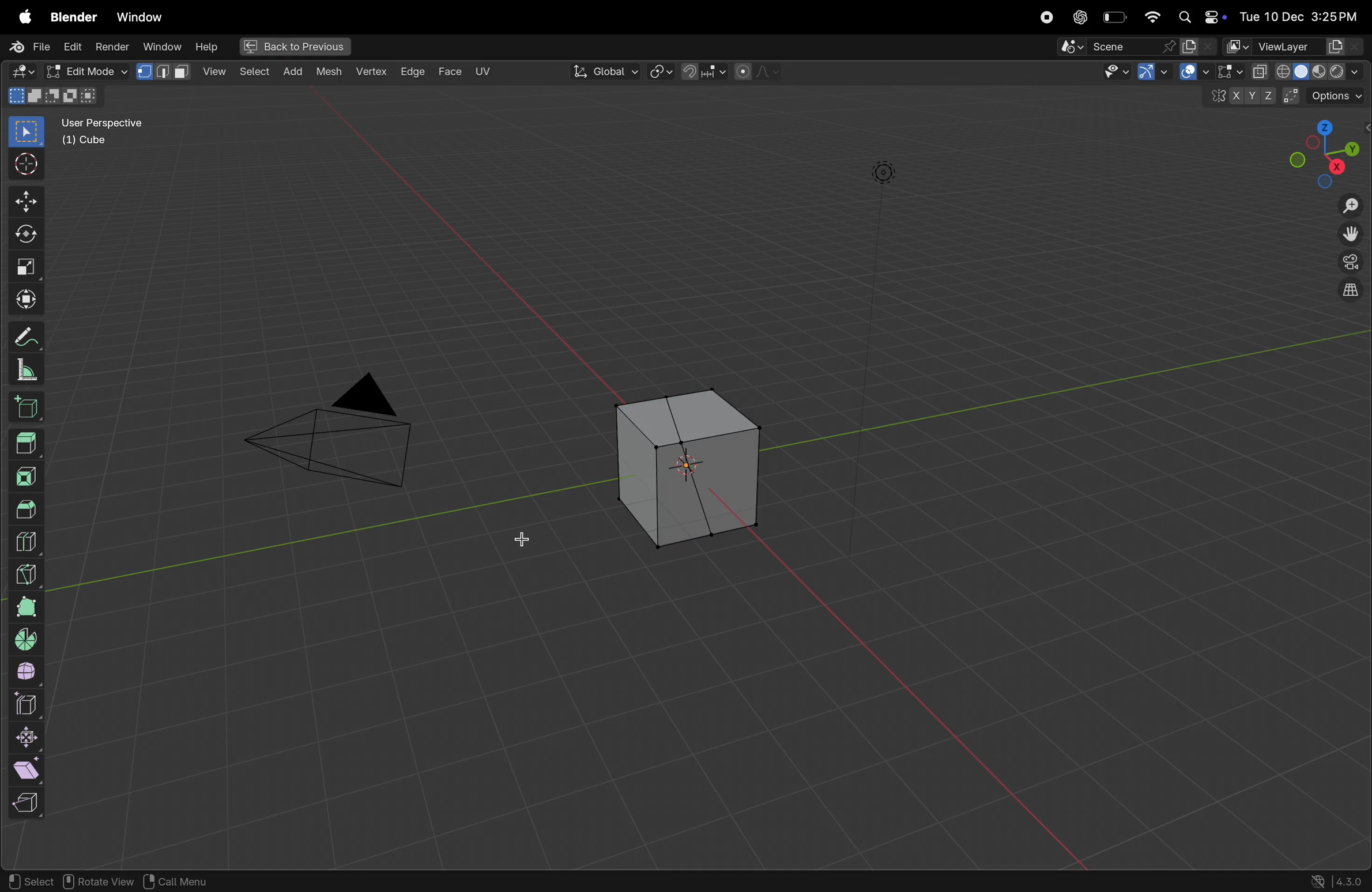  Describe the element at coordinates (114, 46) in the screenshot. I see `render` at that location.